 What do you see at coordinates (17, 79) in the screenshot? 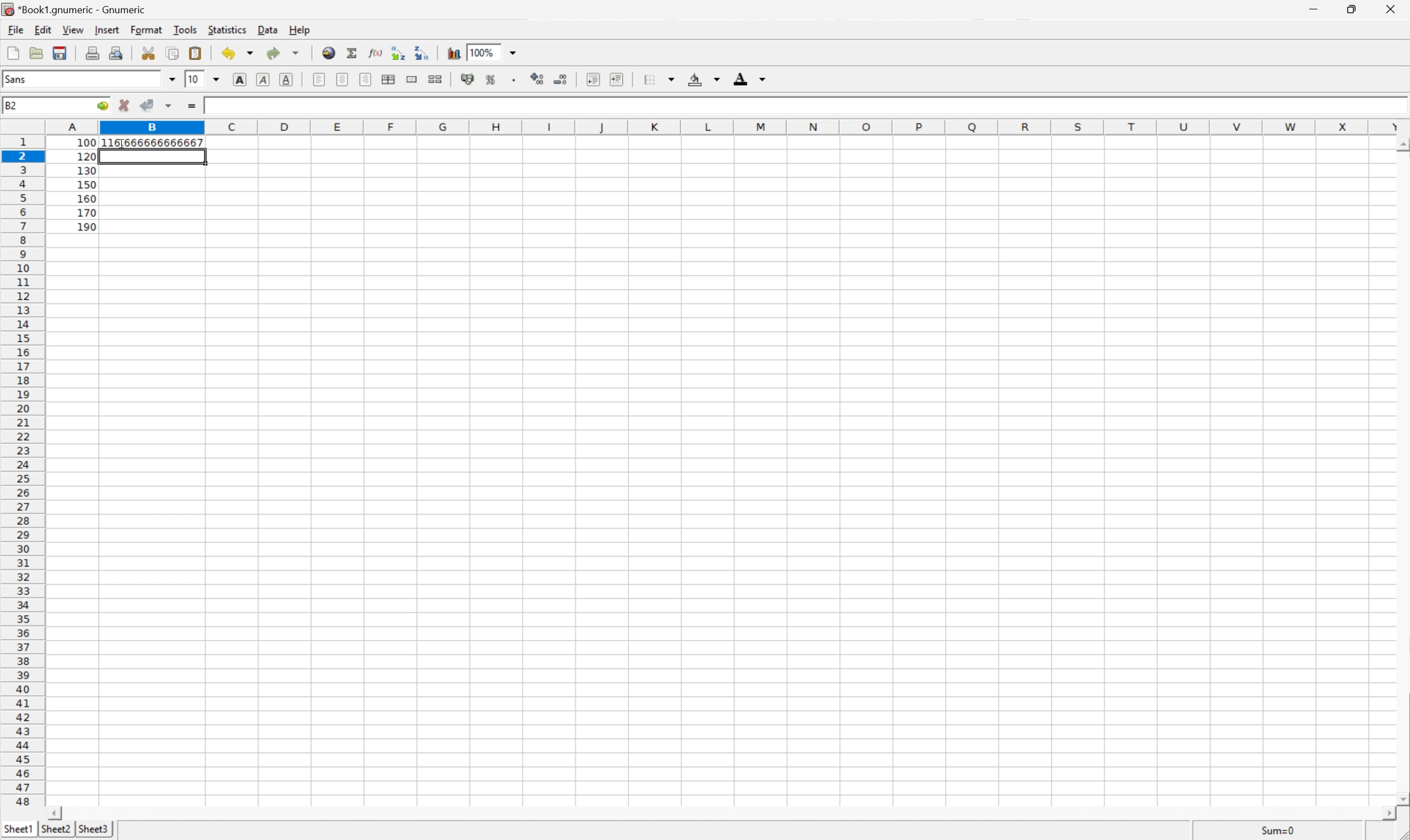
I see `Sans` at bounding box center [17, 79].